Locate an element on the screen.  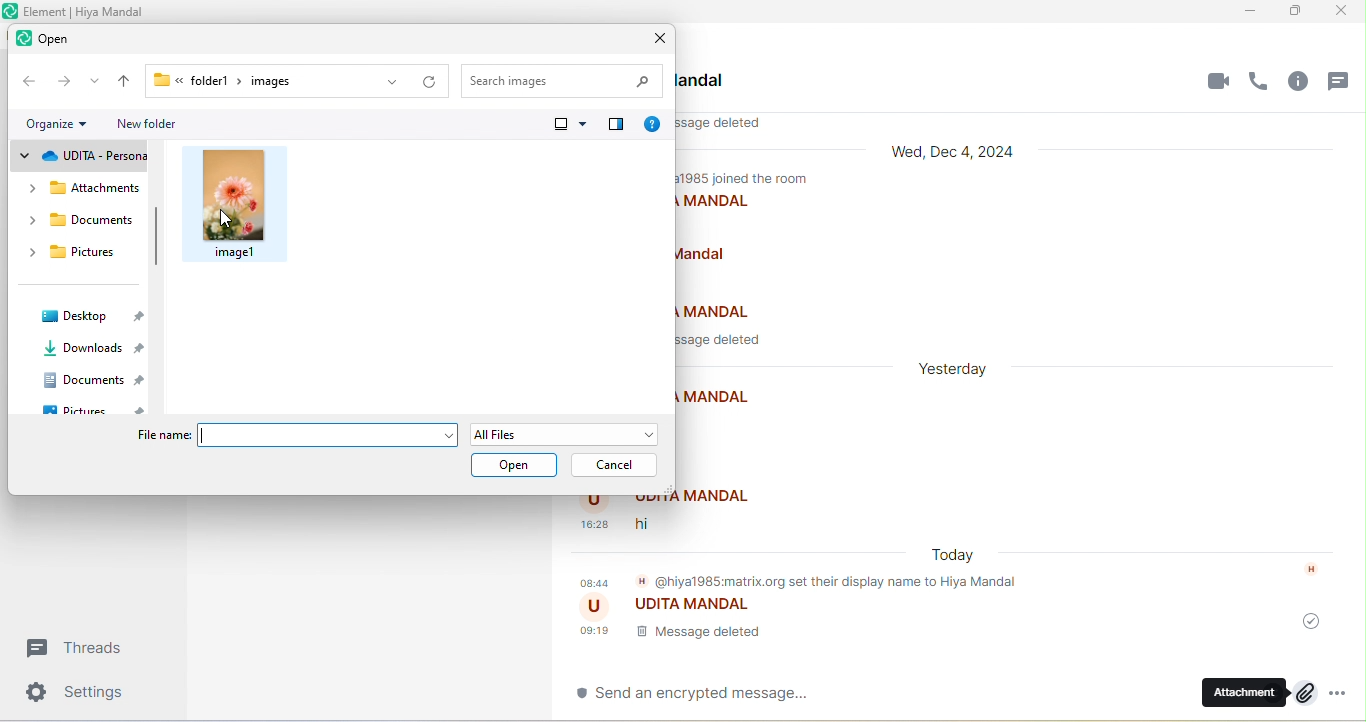
open is located at coordinates (514, 463).